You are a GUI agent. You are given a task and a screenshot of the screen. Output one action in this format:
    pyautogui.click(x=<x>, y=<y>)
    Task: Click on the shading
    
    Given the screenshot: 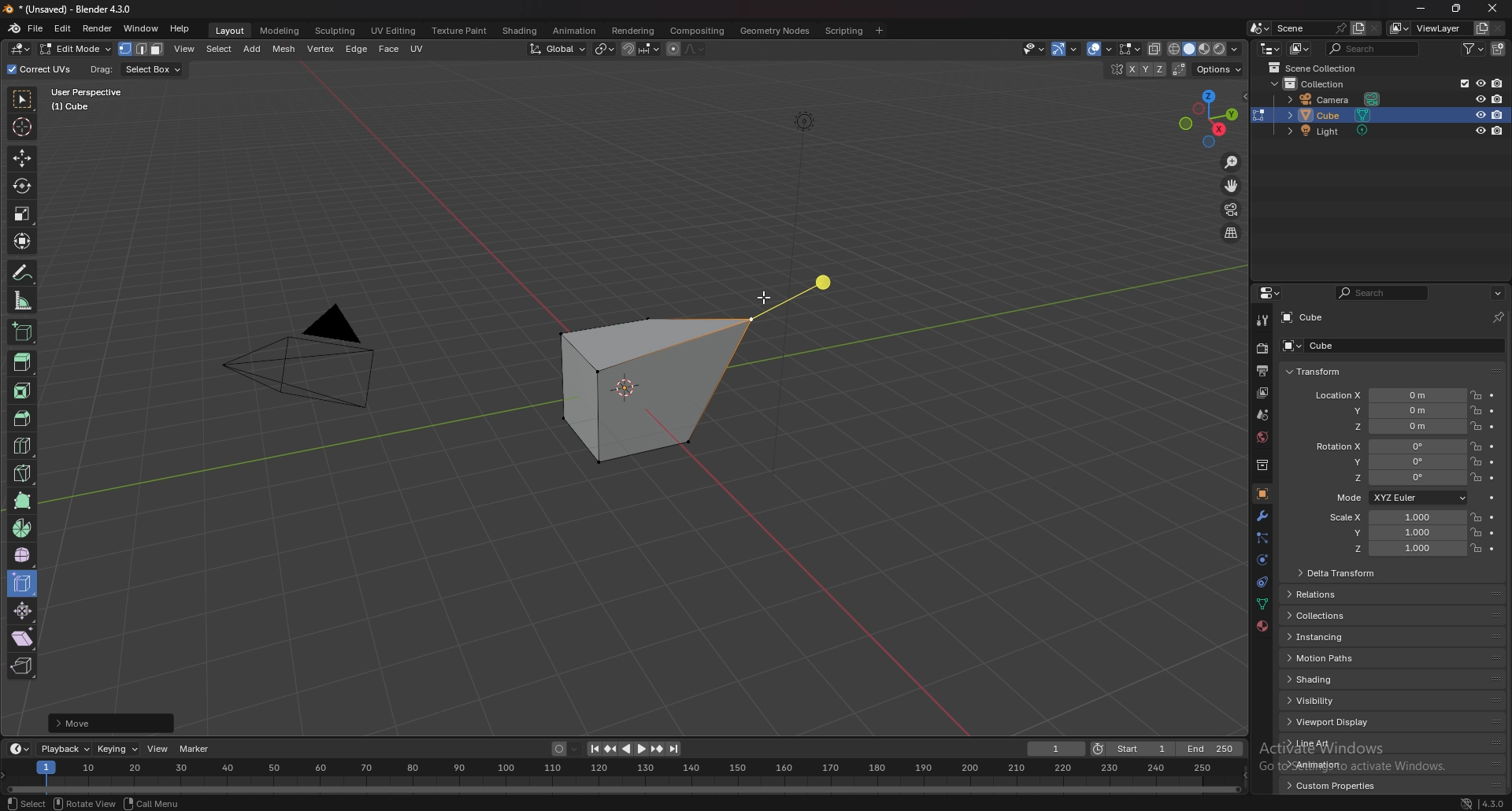 What is the action you would take?
    pyautogui.click(x=1323, y=680)
    